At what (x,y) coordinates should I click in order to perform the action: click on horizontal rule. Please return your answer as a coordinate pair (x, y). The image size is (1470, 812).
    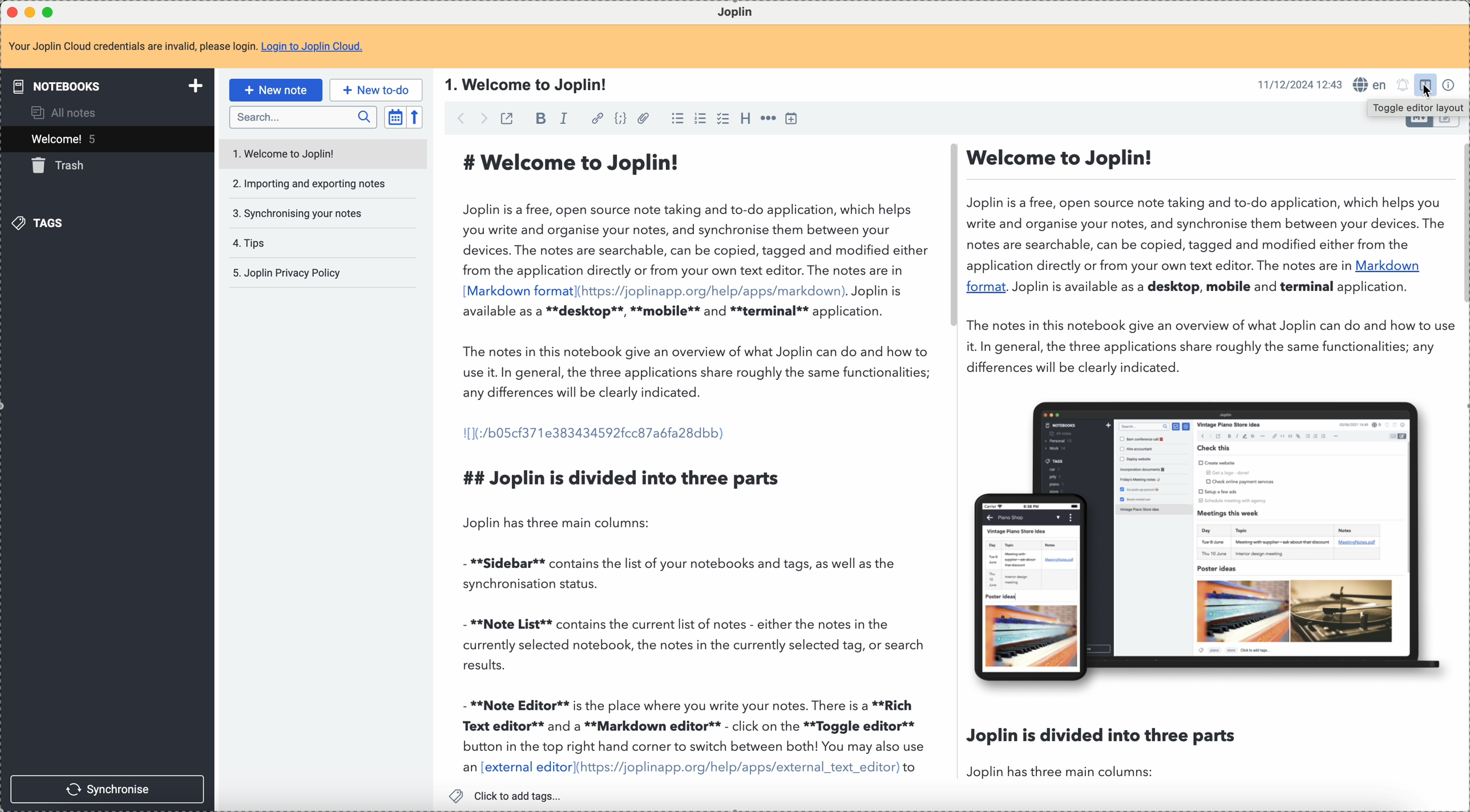
    Looking at the image, I should click on (767, 119).